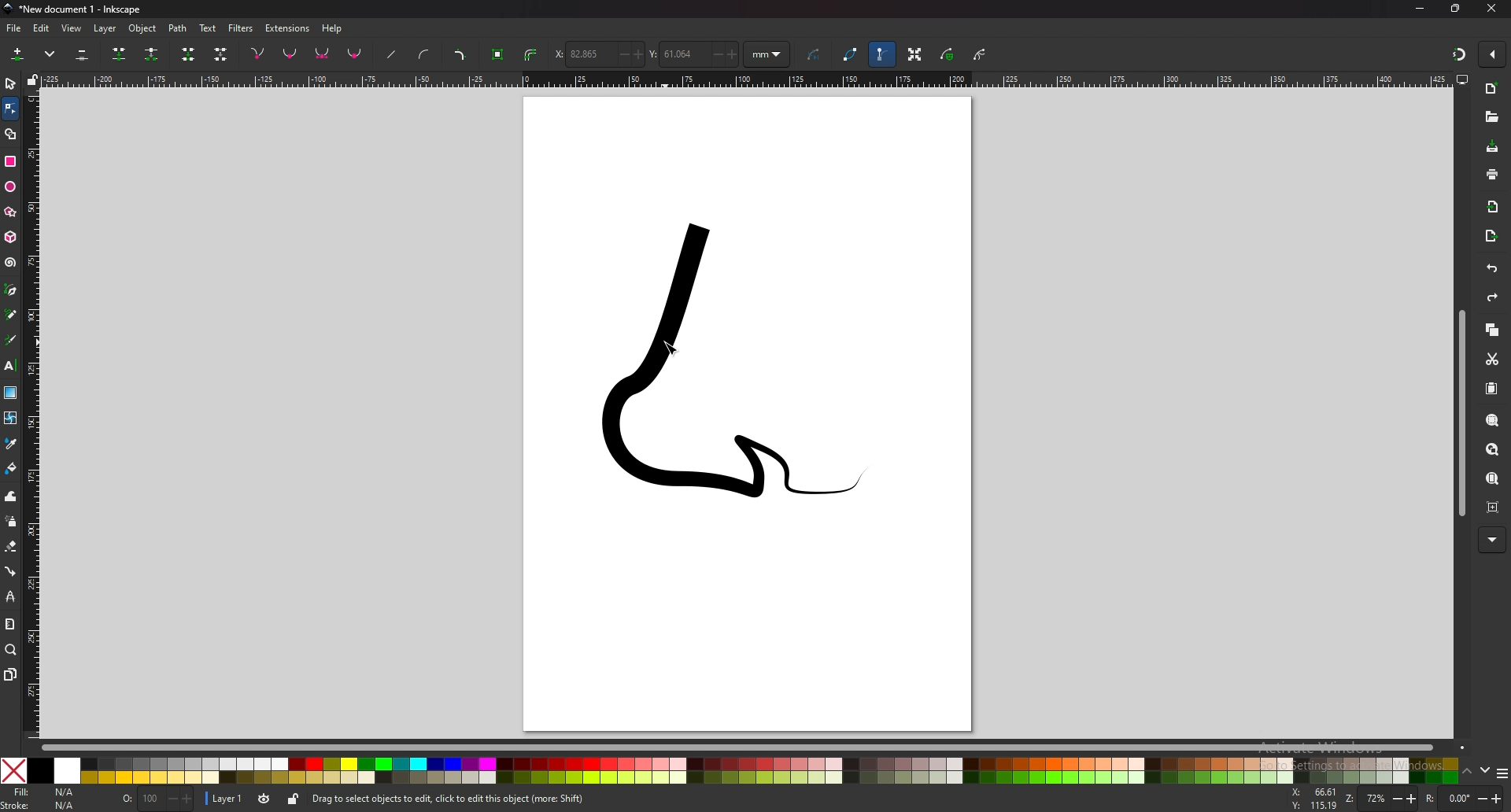 Image resolution: width=1511 pixels, height=812 pixels. What do you see at coordinates (11, 134) in the screenshot?
I see `shape builder` at bounding box center [11, 134].